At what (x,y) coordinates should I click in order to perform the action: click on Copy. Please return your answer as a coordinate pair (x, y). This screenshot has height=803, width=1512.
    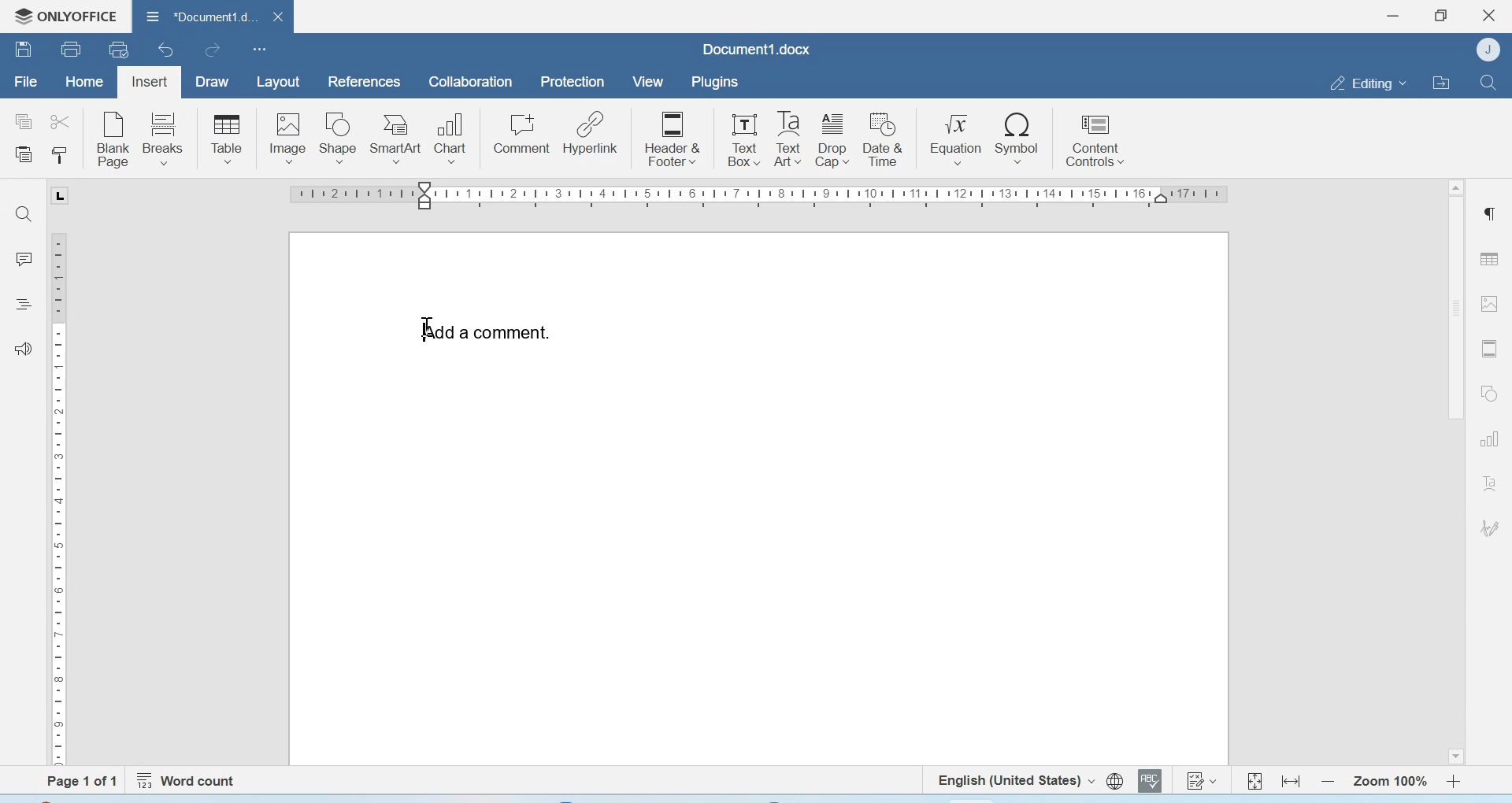
    Looking at the image, I should click on (24, 122).